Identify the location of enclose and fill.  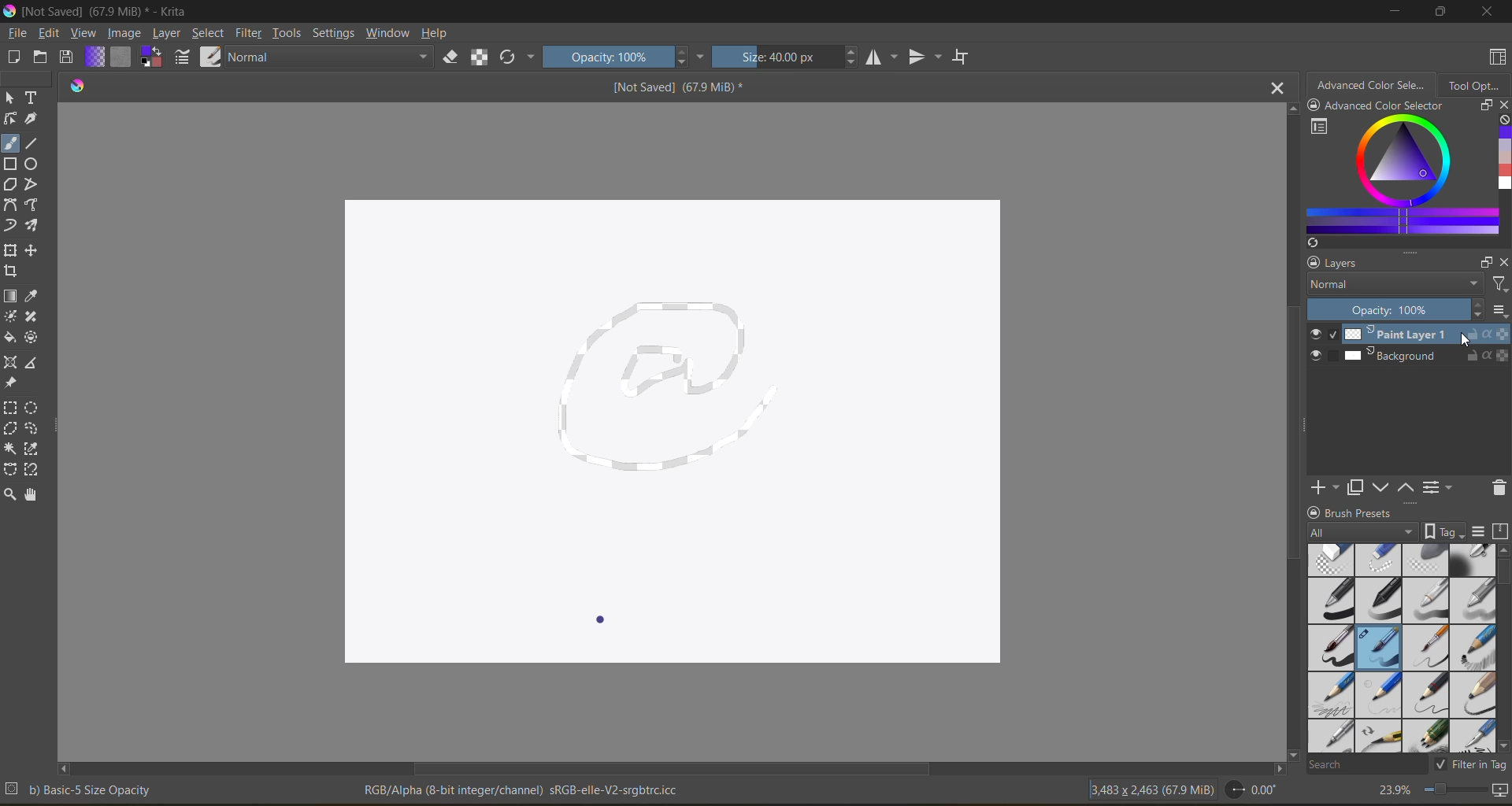
(32, 338).